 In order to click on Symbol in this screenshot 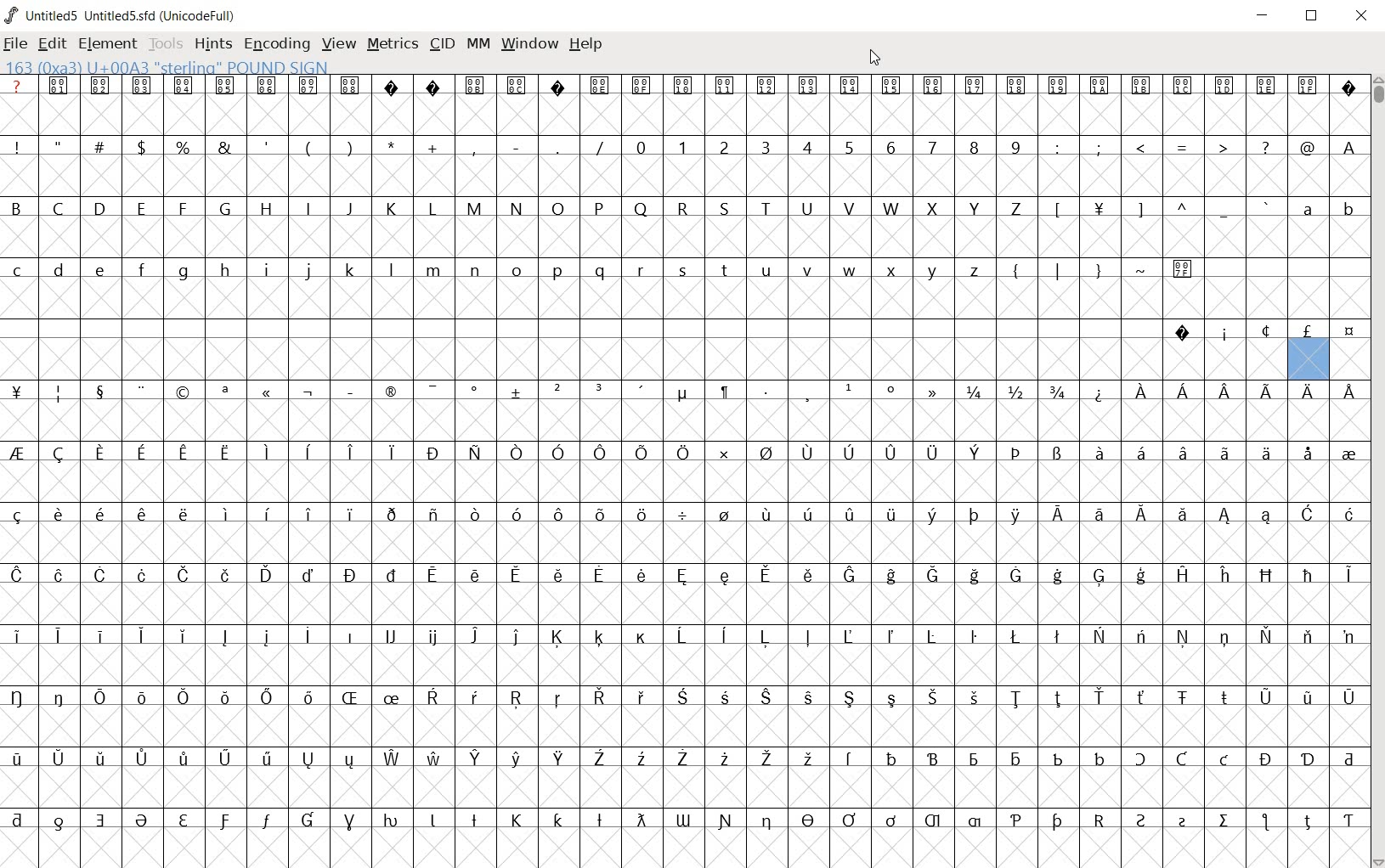, I will do `click(599, 821)`.